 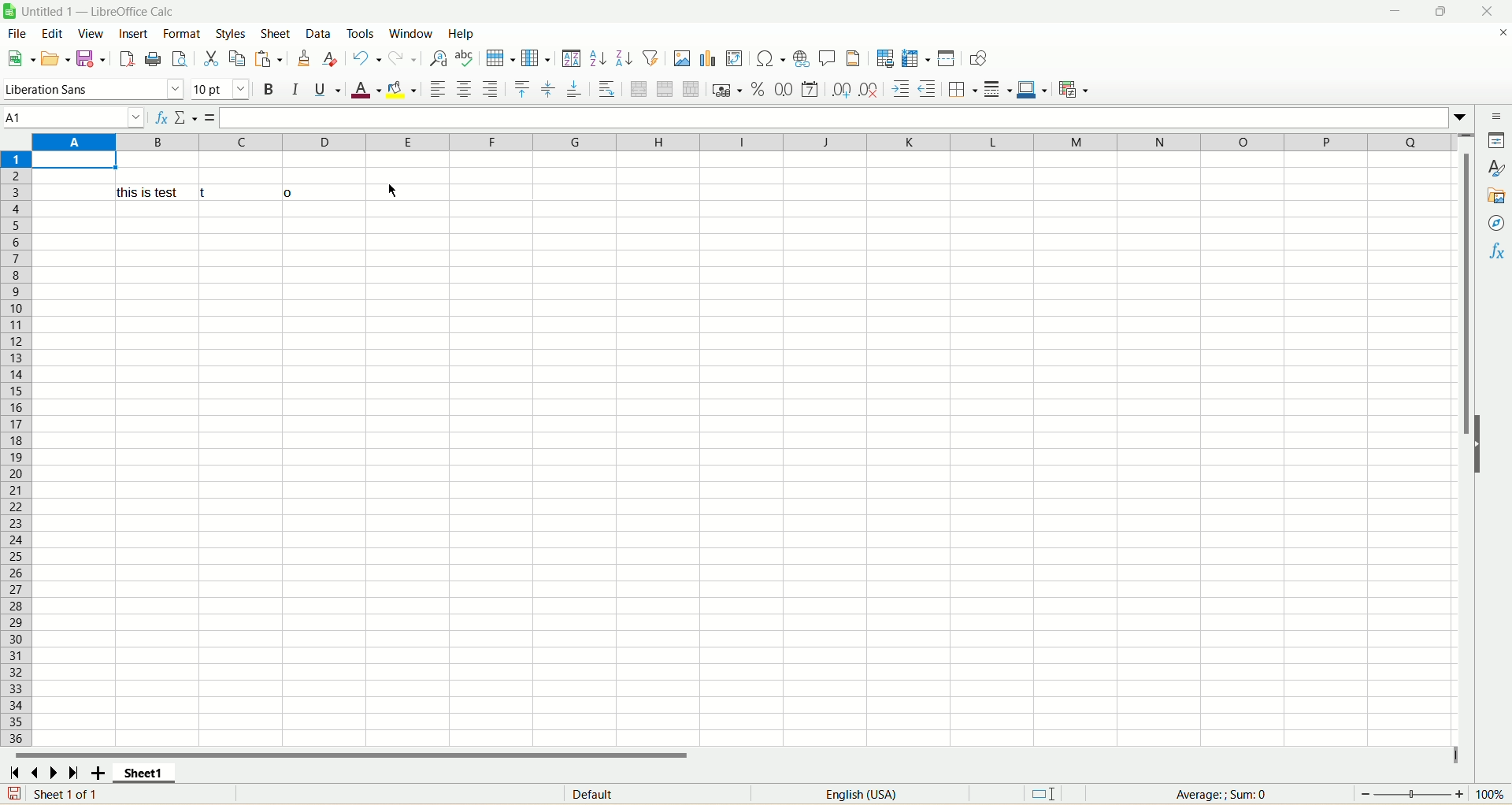 What do you see at coordinates (691, 89) in the screenshot?
I see `unmerge cells` at bounding box center [691, 89].